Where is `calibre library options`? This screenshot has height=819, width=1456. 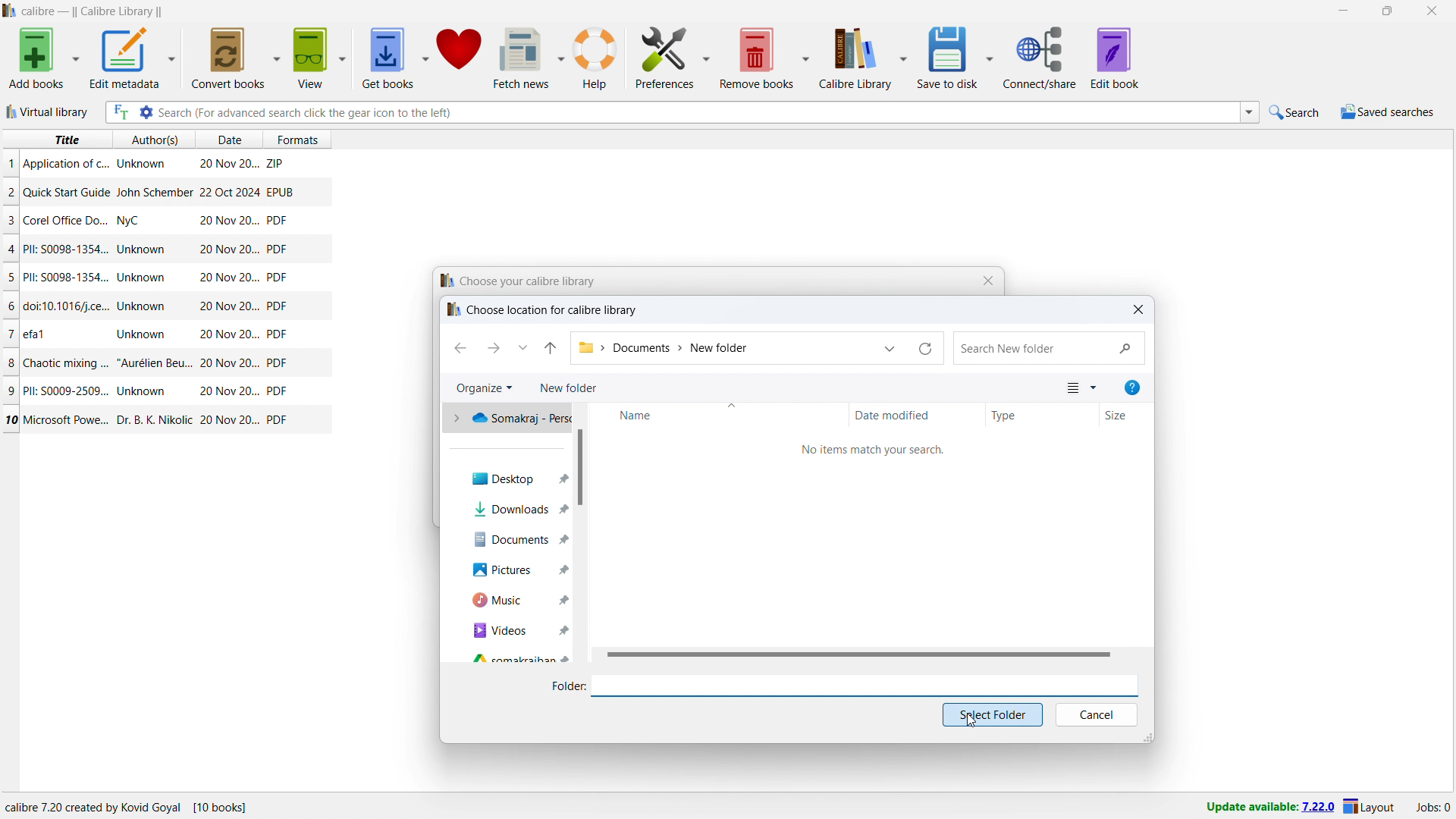
calibre library options is located at coordinates (904, 59).